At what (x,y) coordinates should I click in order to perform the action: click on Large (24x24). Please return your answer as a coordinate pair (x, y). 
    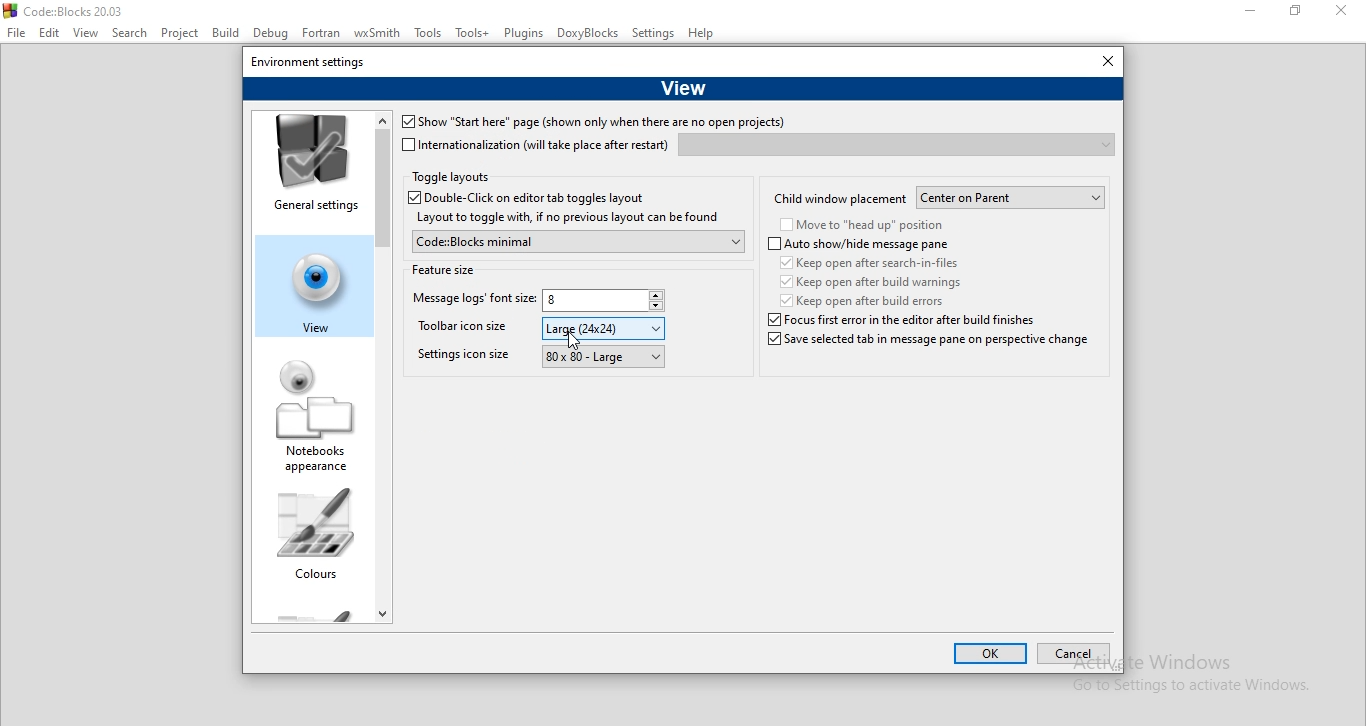
    Looking at the image, I should click on (605, 328).